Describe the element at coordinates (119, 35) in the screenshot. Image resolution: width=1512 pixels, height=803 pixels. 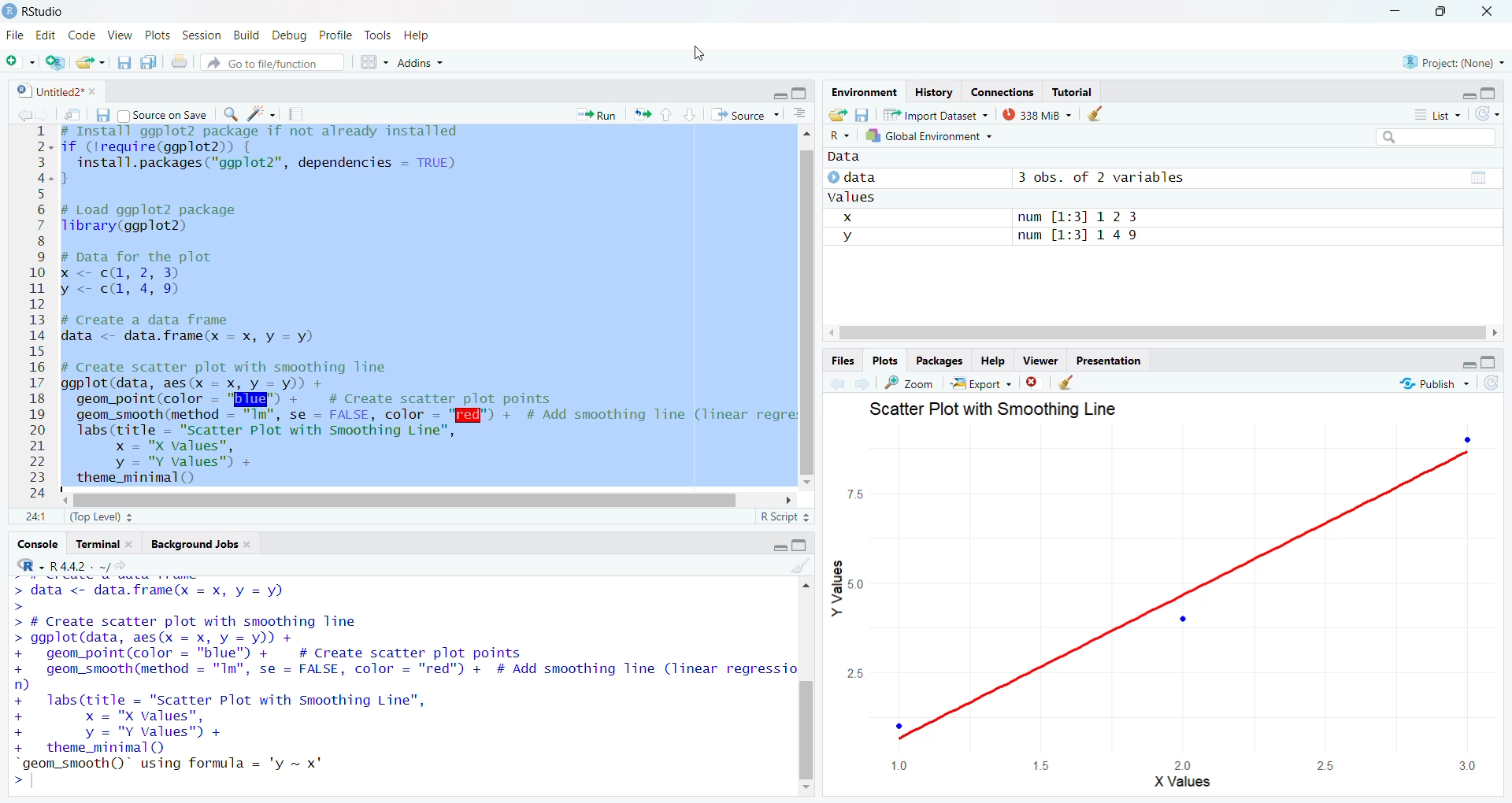
I see ` View` at that location.